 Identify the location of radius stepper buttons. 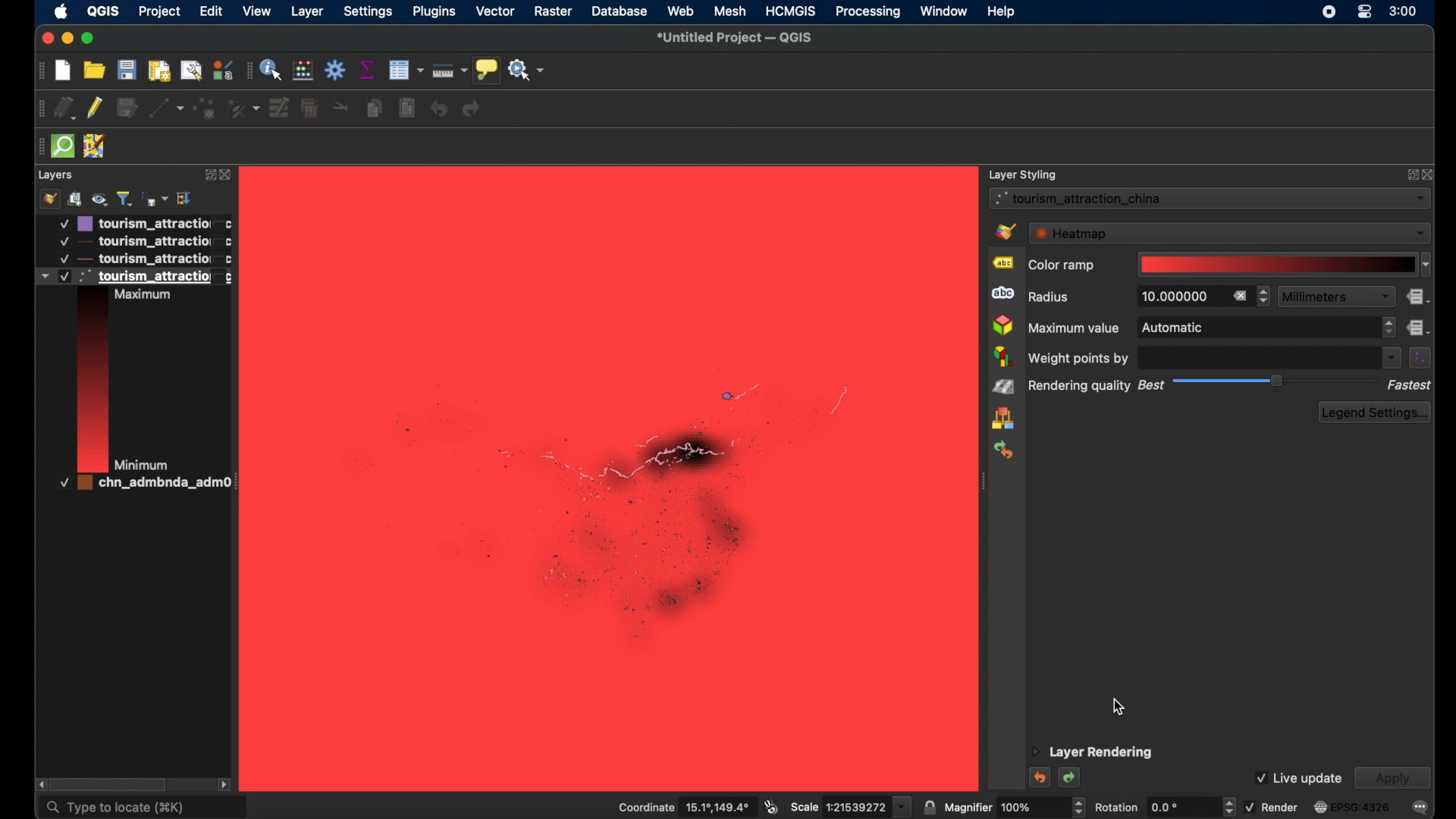
(1197, 297).